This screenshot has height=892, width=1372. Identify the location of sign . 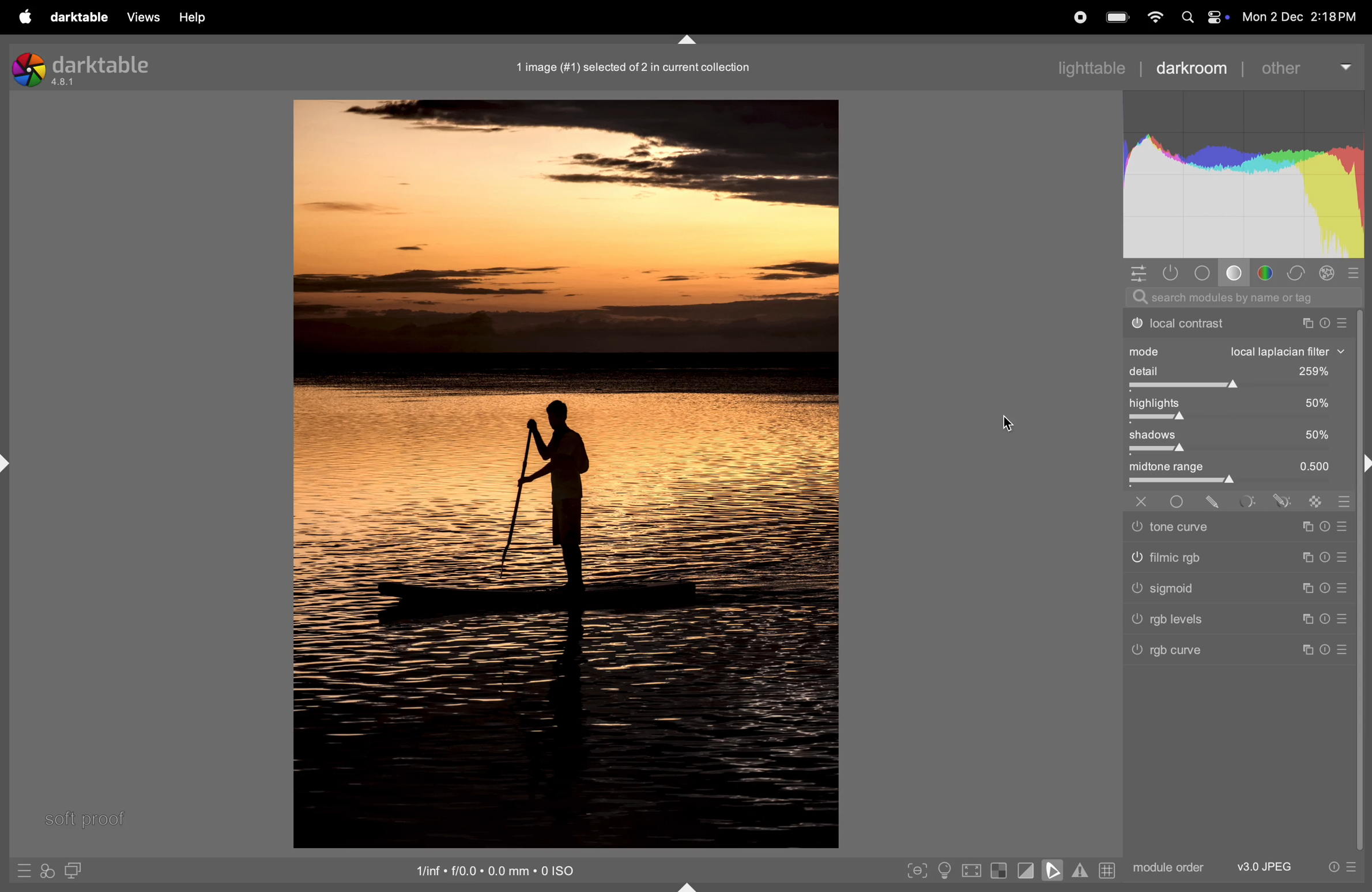
(1328, 529).